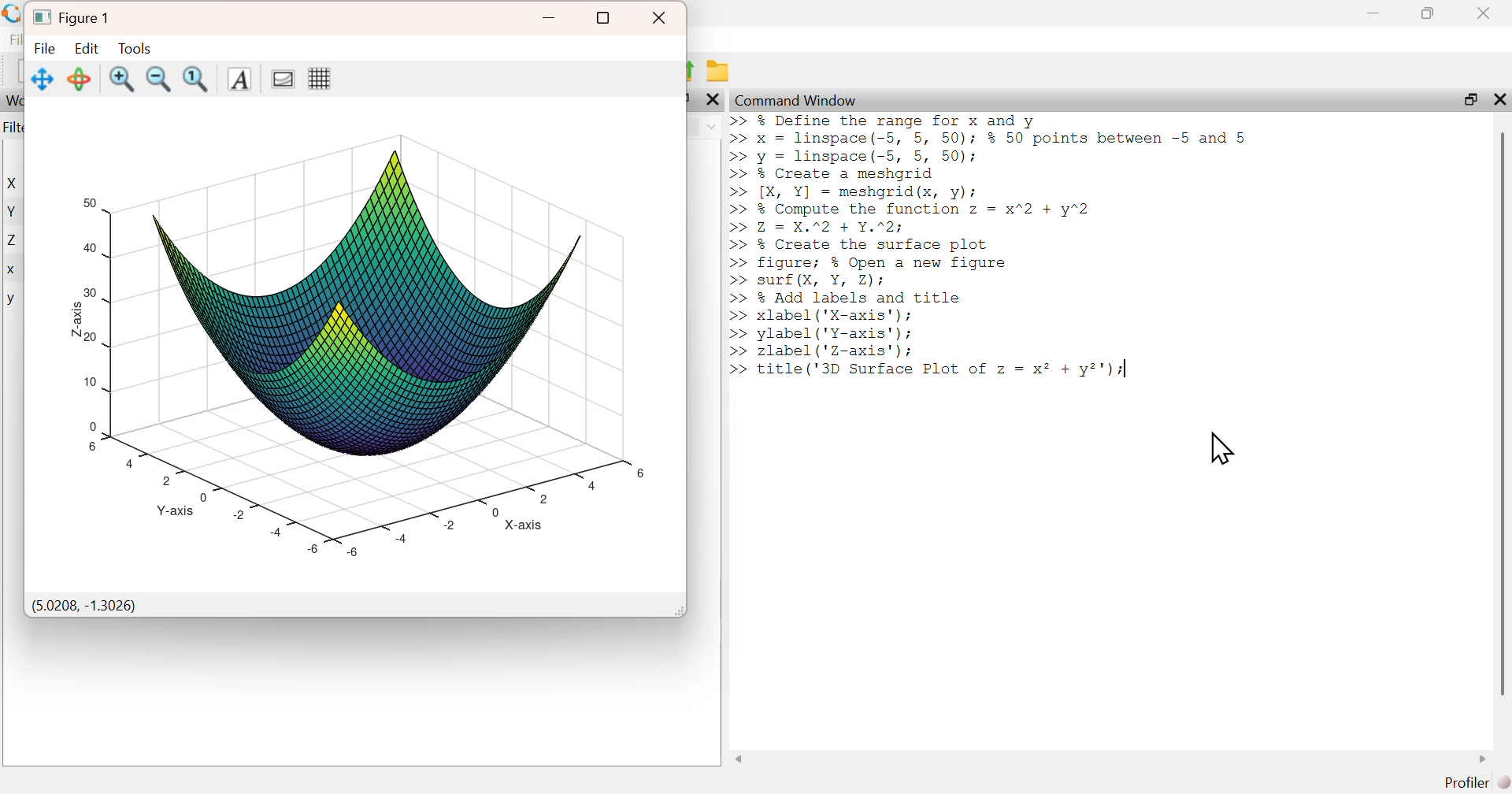 This screenshot has width=1512, height=794. What do you see at coordinates (354, 337) in the screenshot?
I see `Graph` at bounding box center [354, 337].